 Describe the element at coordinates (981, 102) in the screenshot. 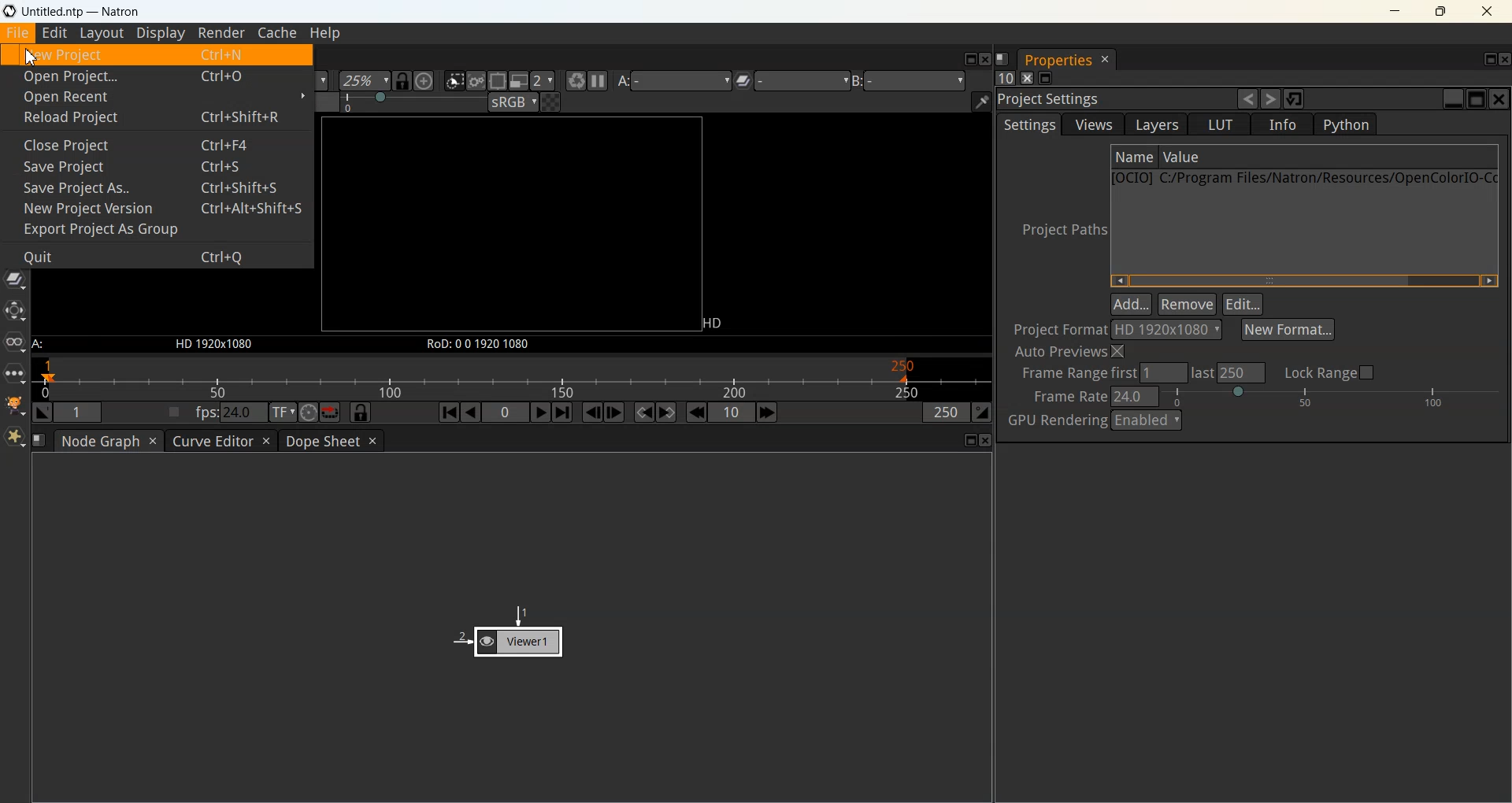

I see `Hide/Show Information bar` at that location.